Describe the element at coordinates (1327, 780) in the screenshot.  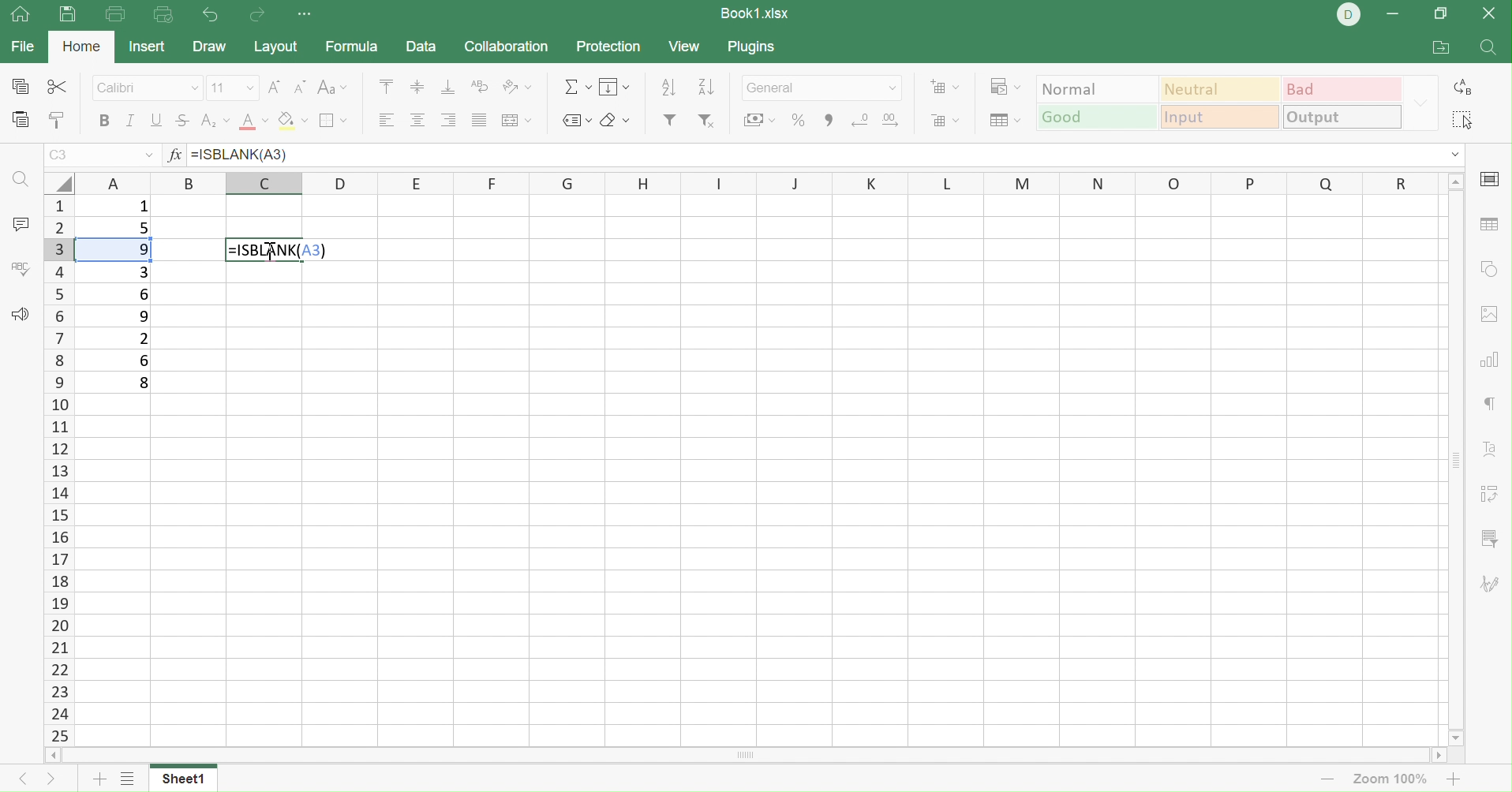
I see `Zoom out` at that location.